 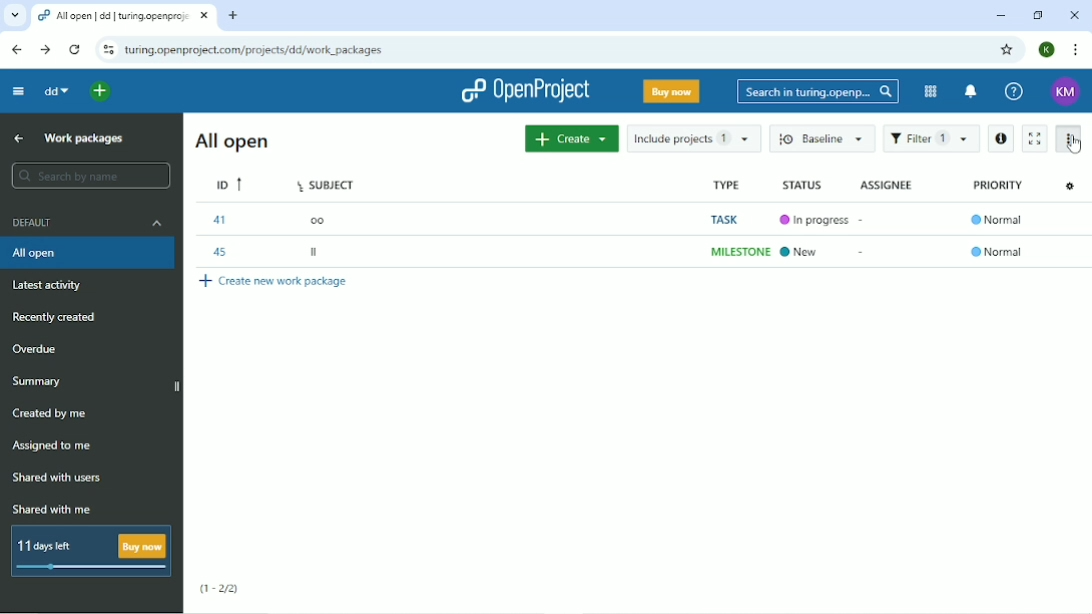 What do you see at coordinates (125, 17) in the screenshot?
I see `All open | dd | turing.openproject.com` at bounding box center [125, 17].